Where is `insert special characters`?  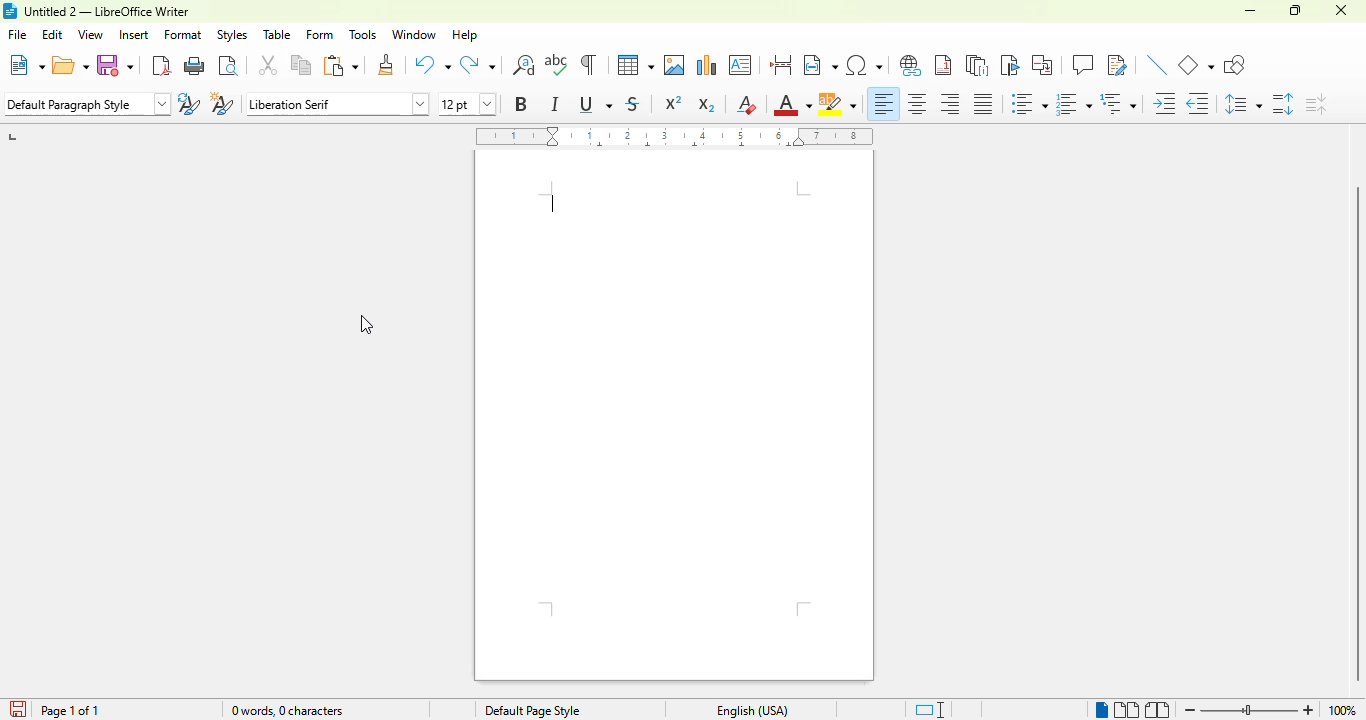 insert special characters is located at coordinates (865, 65).